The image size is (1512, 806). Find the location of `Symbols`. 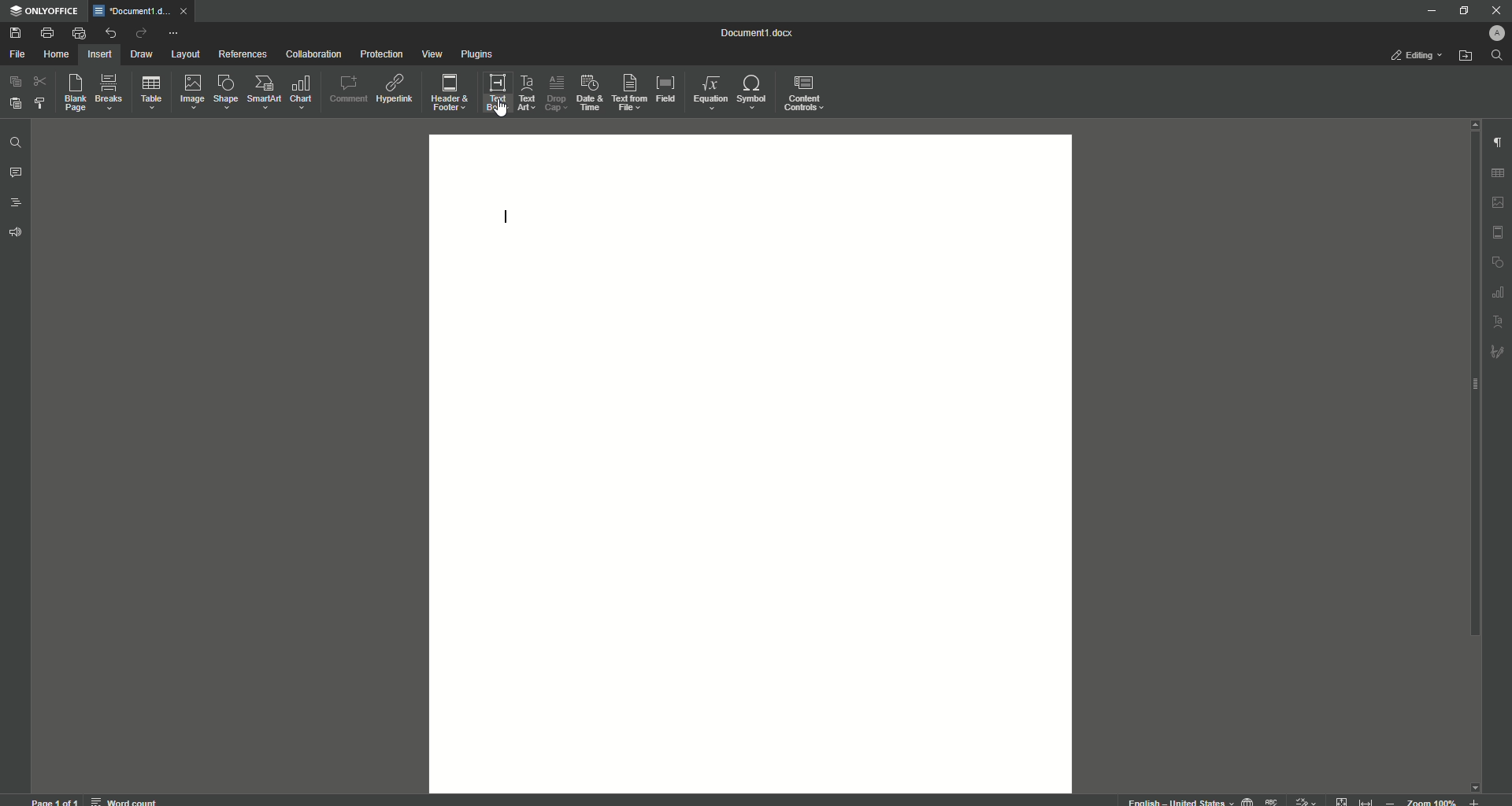

Symbols is located at coordinates (750, 92).